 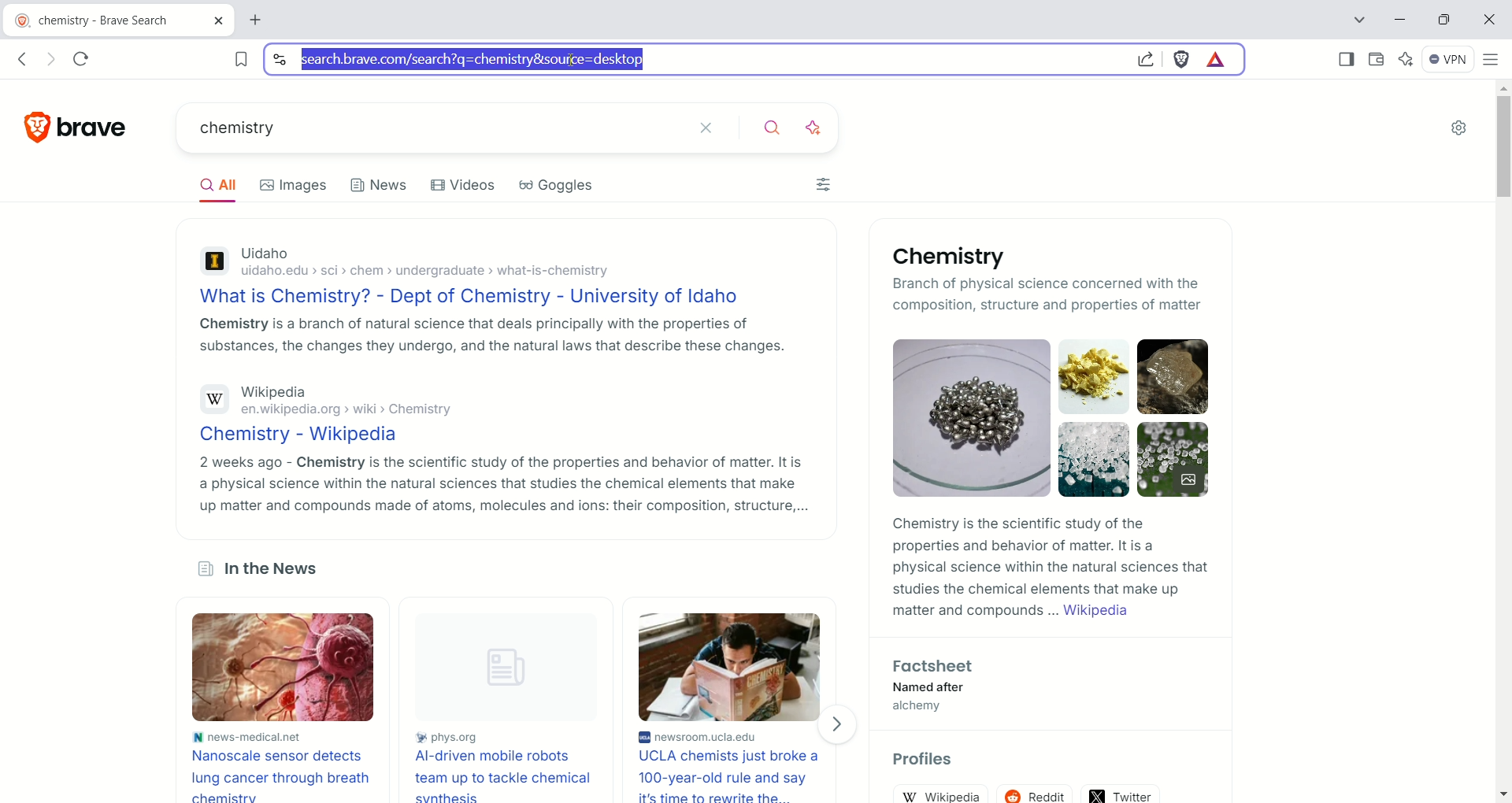 I want to click on search, so click(x=433, y=129).